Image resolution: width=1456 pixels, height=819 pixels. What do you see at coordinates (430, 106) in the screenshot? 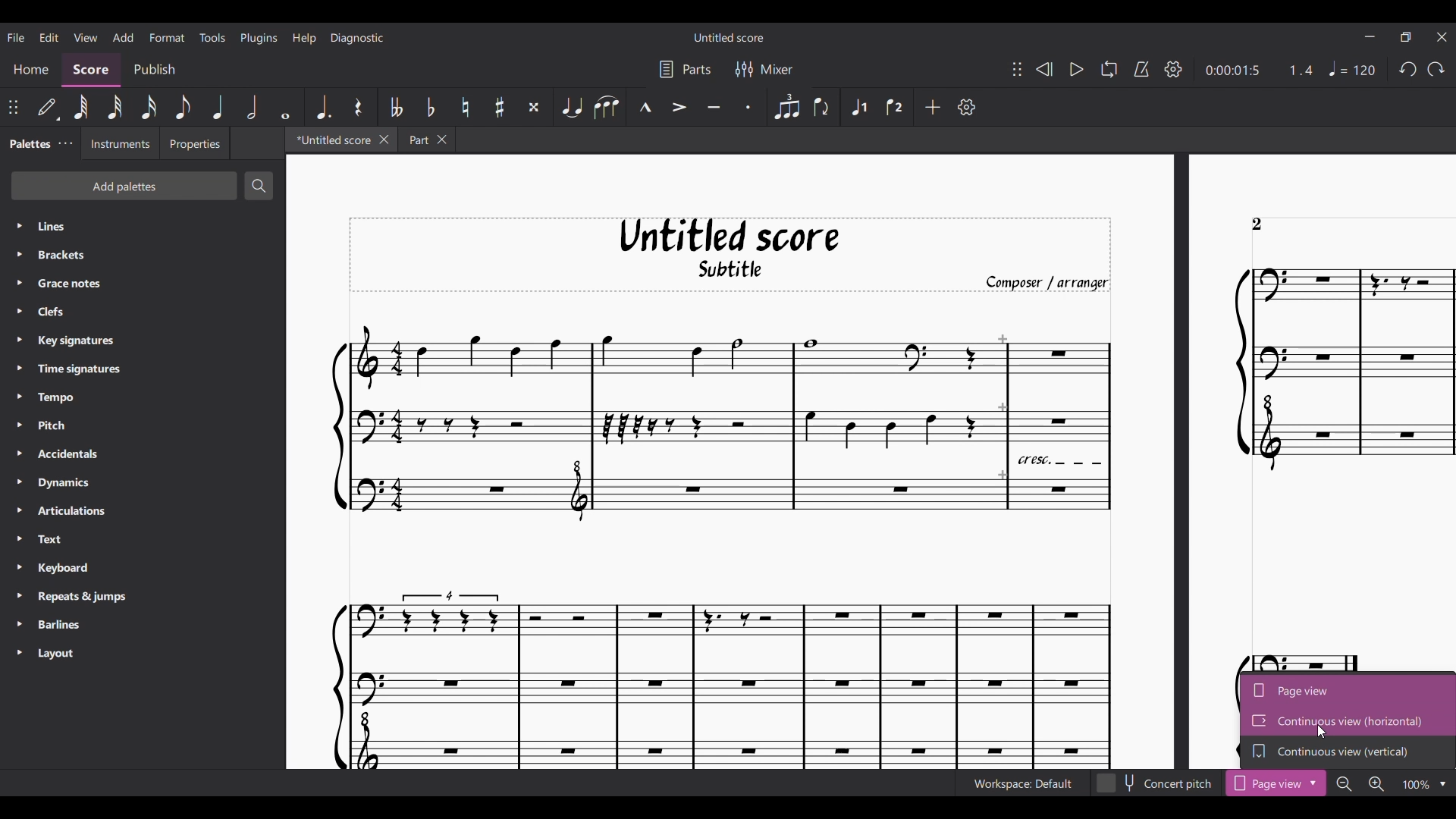
I see `Toggle flat` at bounding box center [430, 106].